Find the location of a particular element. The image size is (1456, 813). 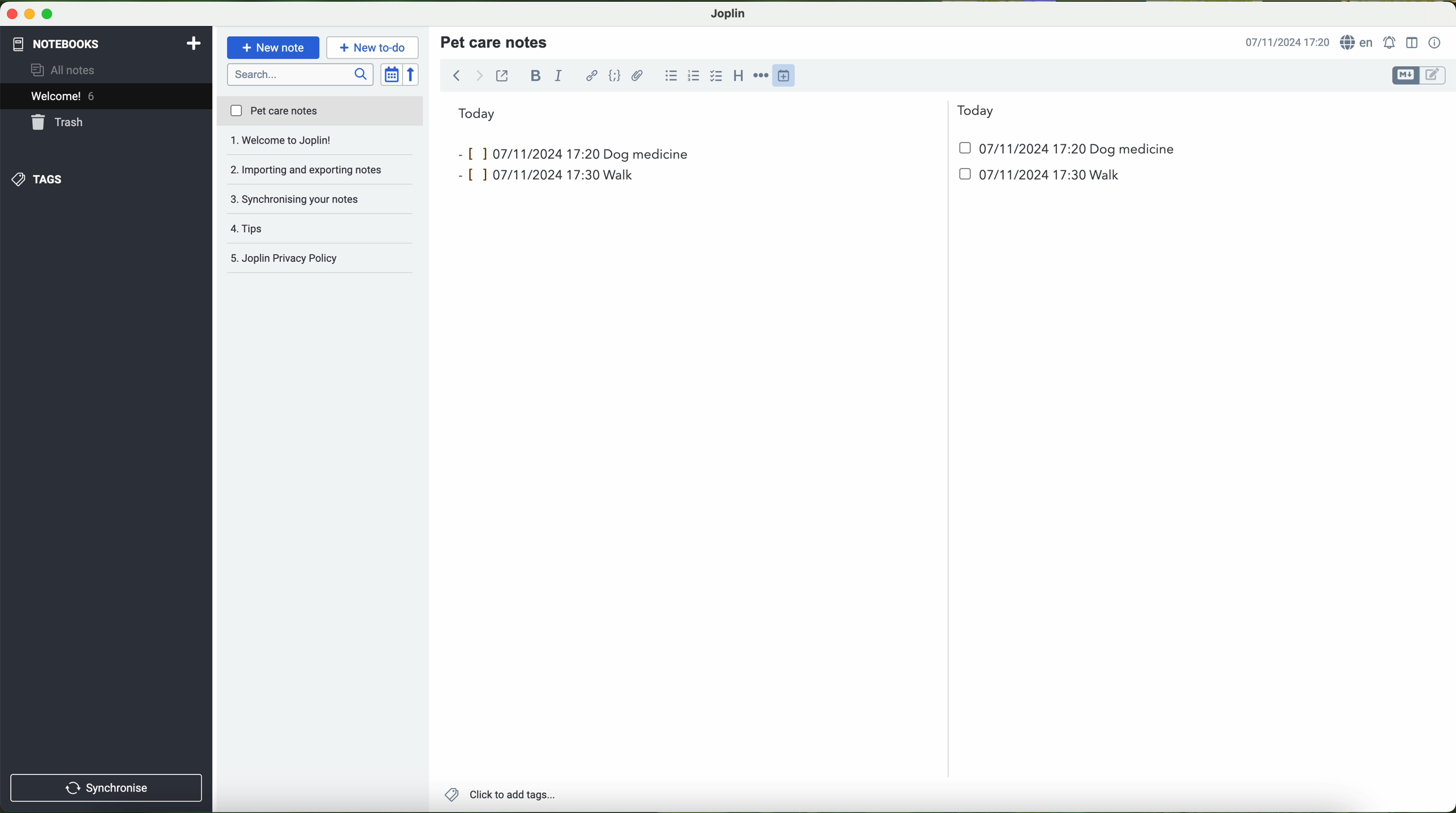

dog medicine is located at coordinates (647, 154).